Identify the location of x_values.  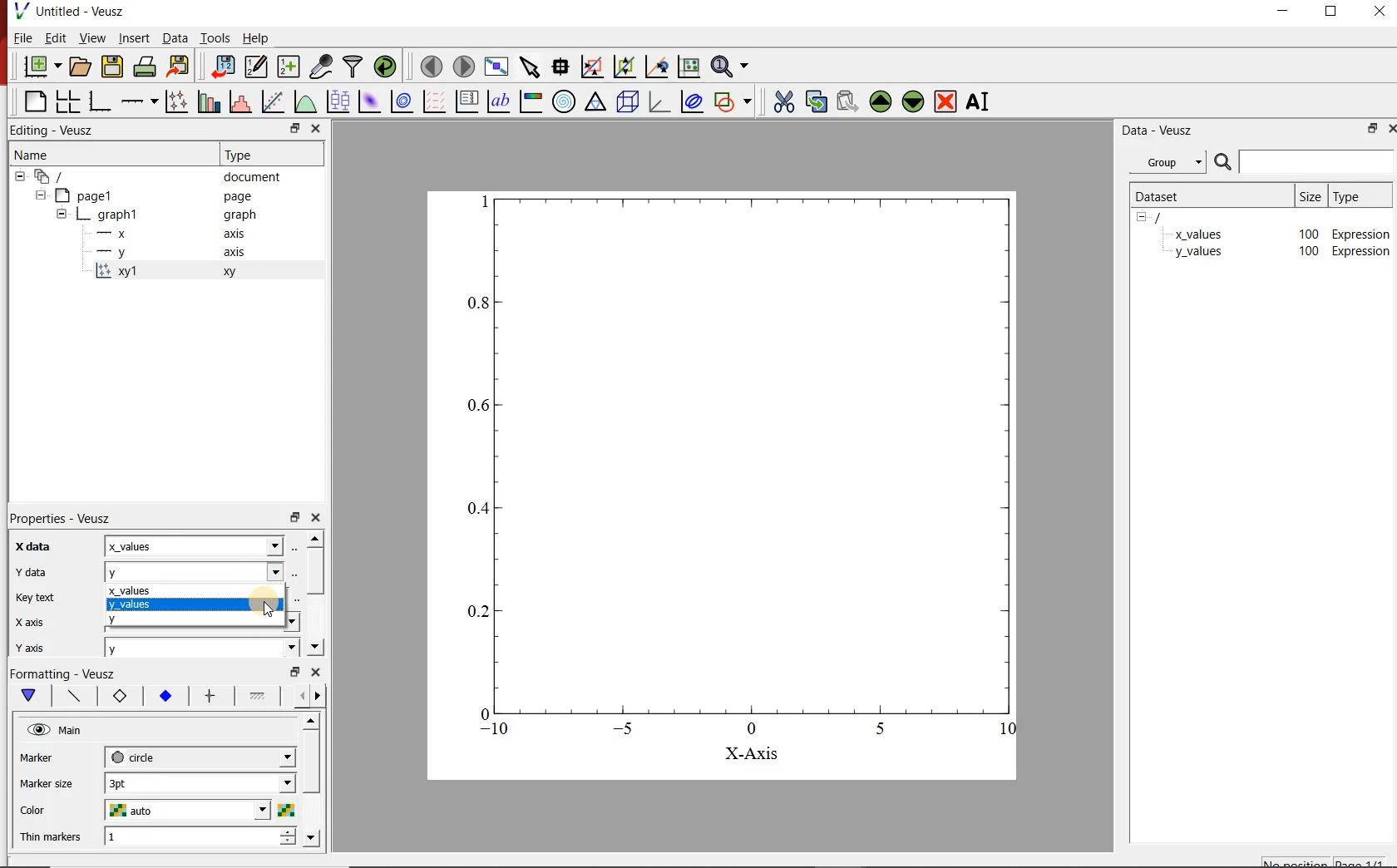
(1198, 233).